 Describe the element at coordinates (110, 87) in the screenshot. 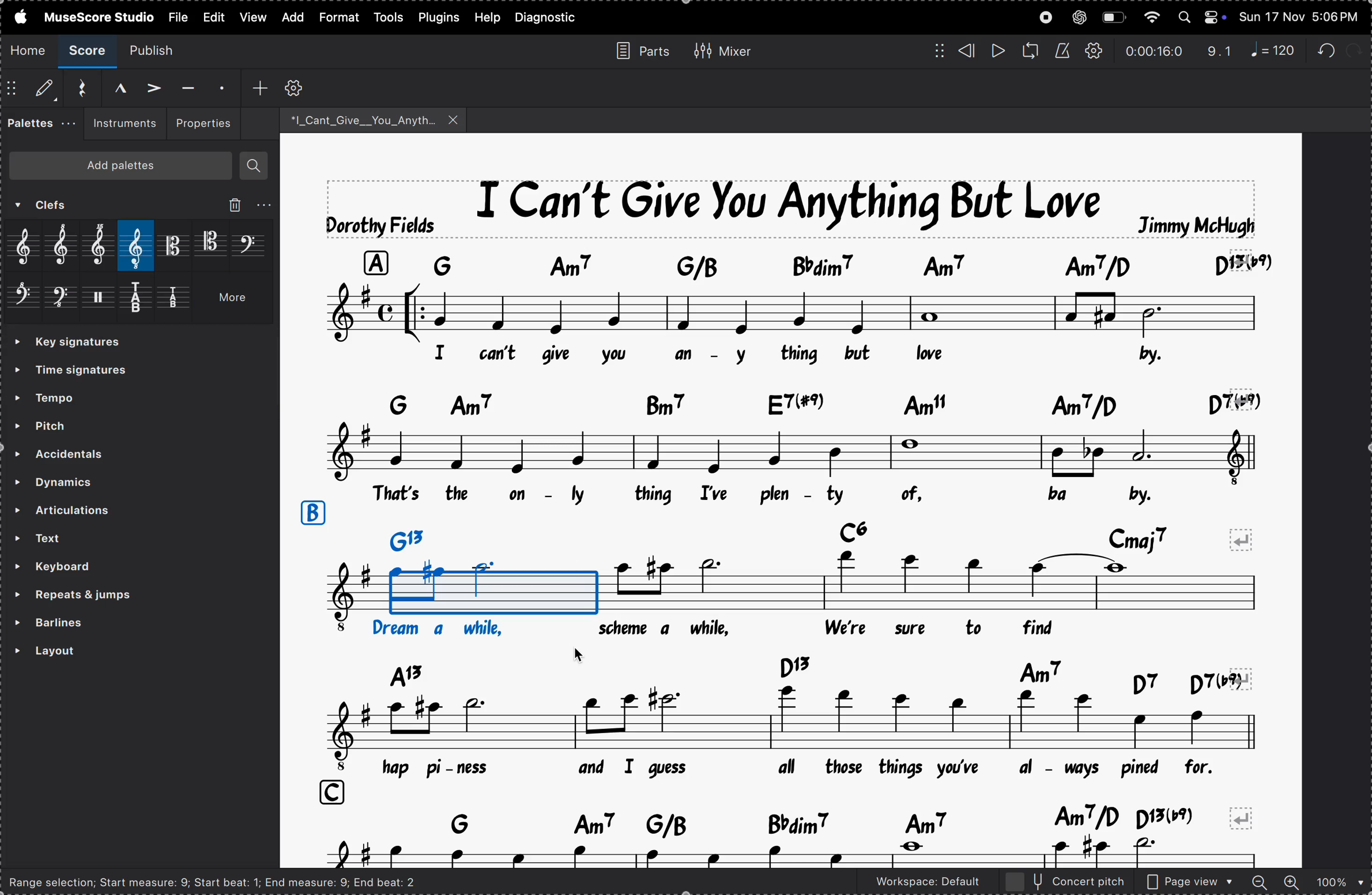

I see `Marcato` at that location.